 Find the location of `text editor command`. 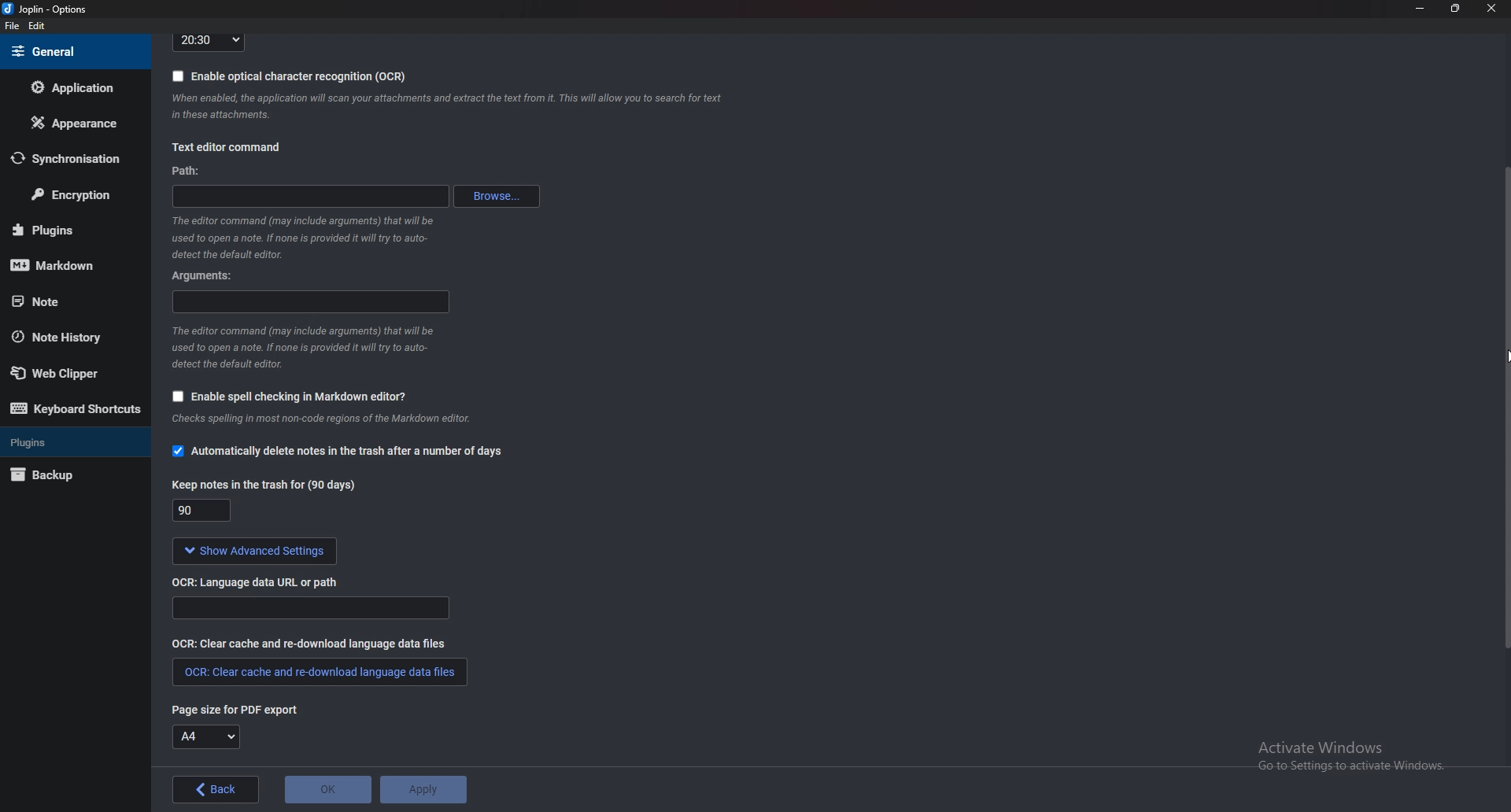

text editor command is located at coordinates (226, 149).